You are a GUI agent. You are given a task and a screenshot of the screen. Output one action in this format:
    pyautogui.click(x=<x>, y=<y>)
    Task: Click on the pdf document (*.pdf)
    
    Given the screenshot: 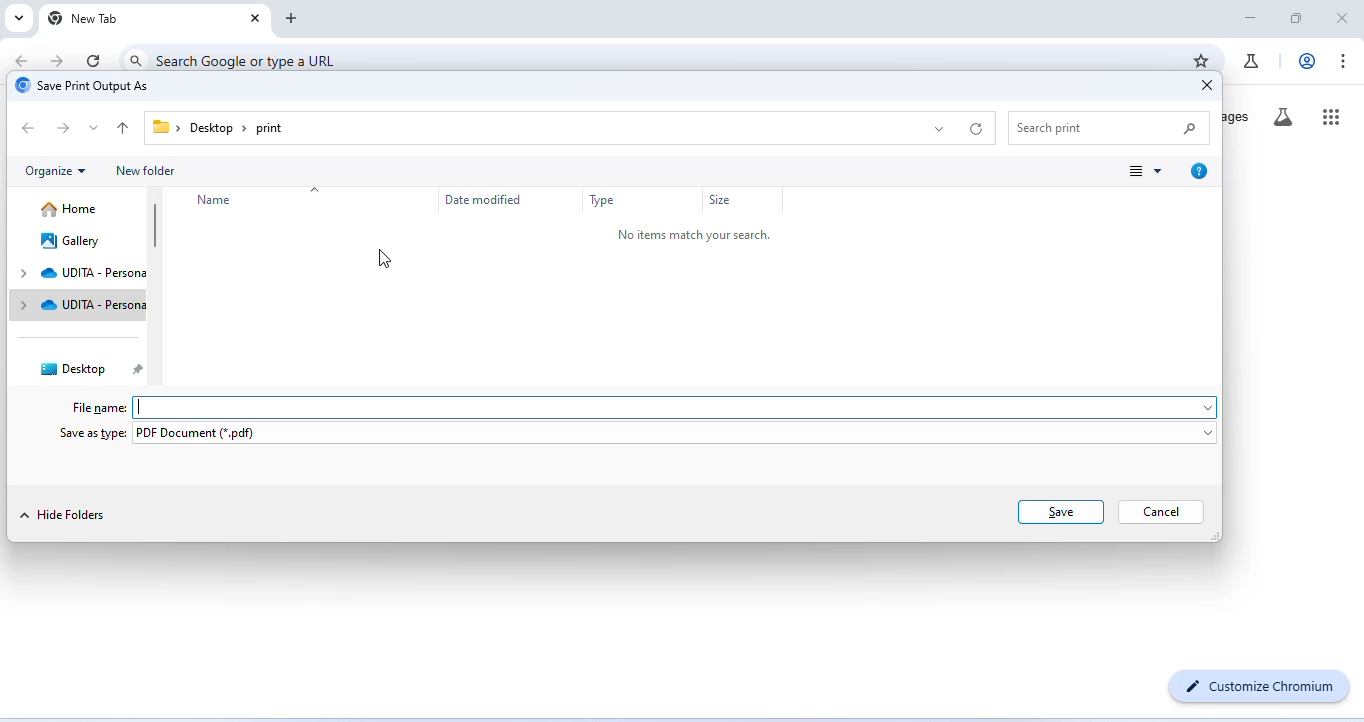 What is the action you would take?
    pyautogui.click(x=674, y=435)
    